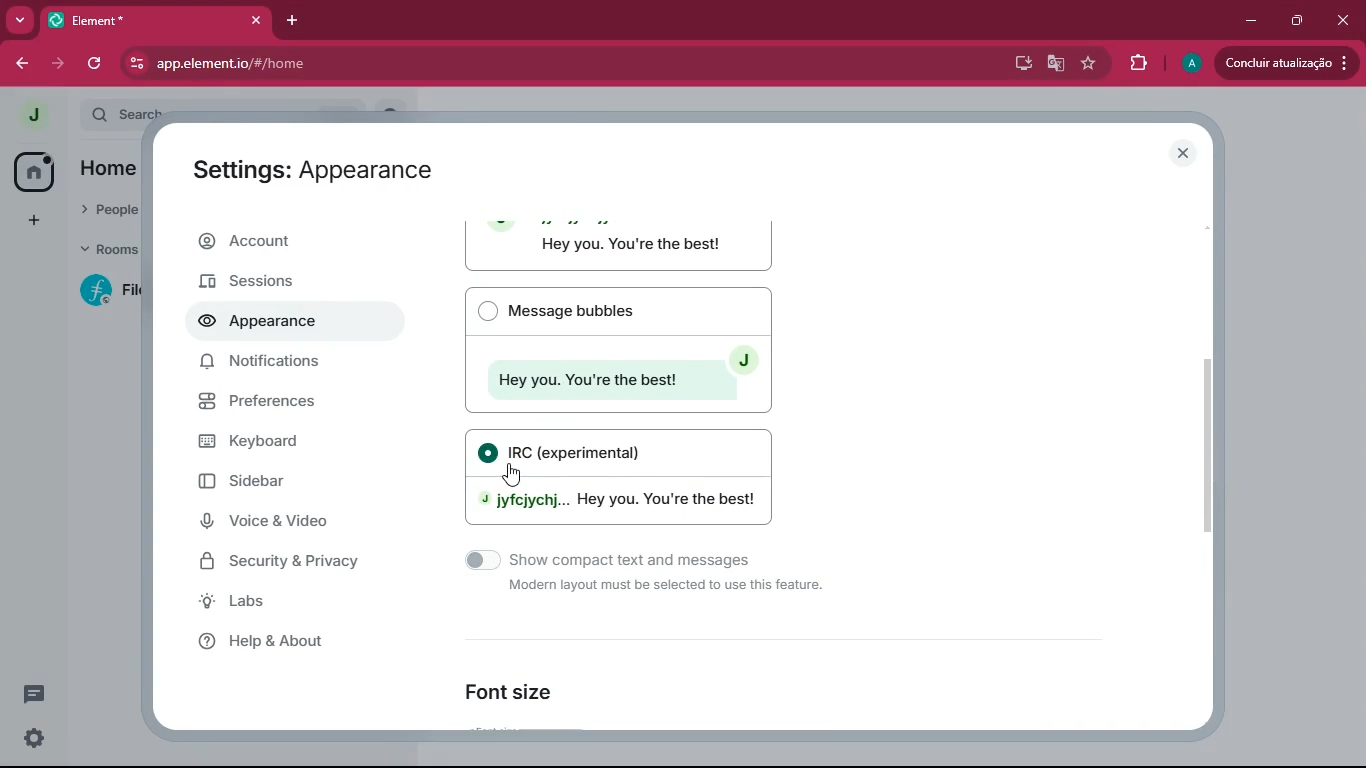 The image size is (1366, 768). I want to click on appearance, so click(269, 323).